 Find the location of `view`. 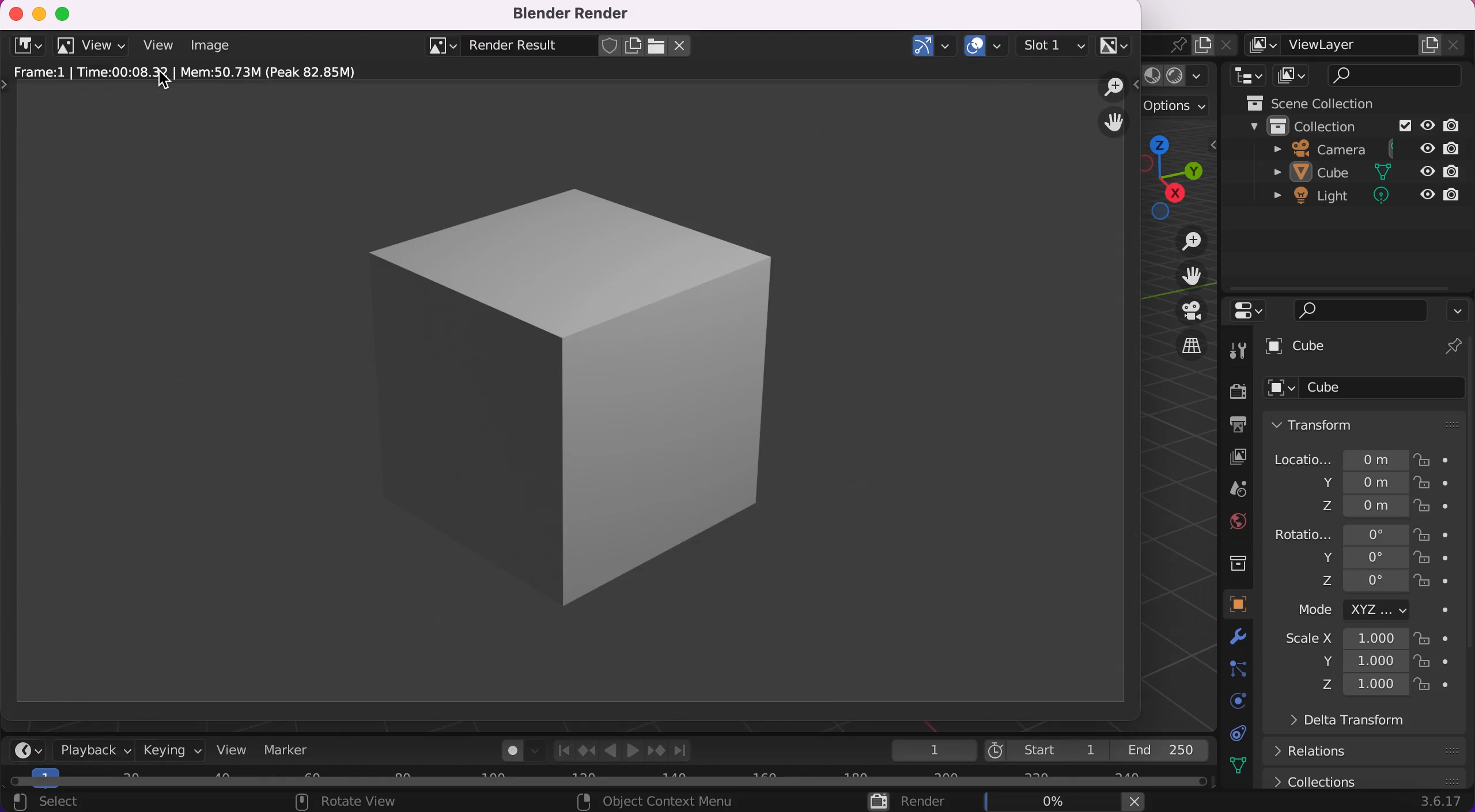

view is located at coordinates (232, 749).